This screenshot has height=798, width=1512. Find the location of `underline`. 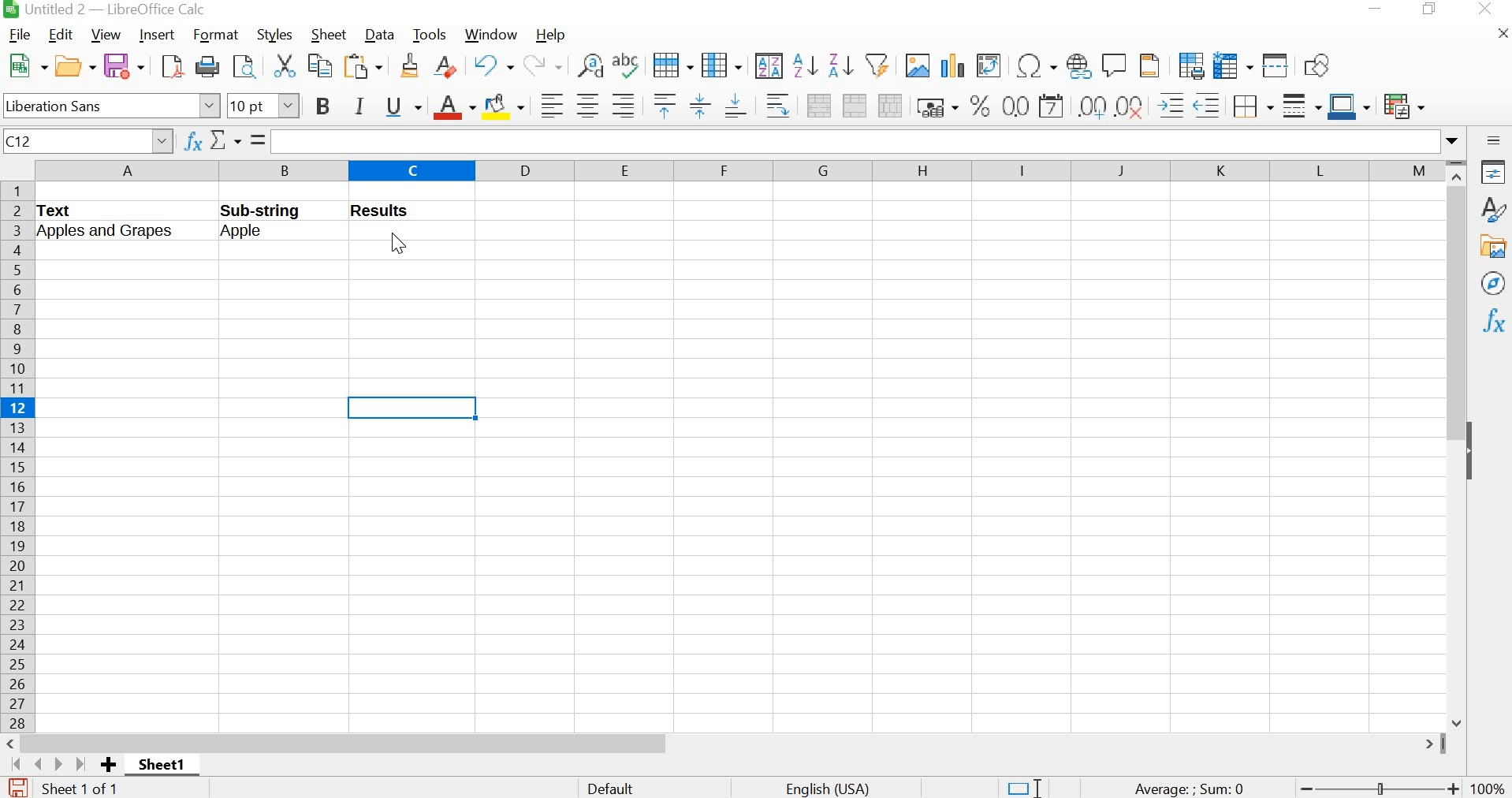

underline is located at coordinates (402, 106).